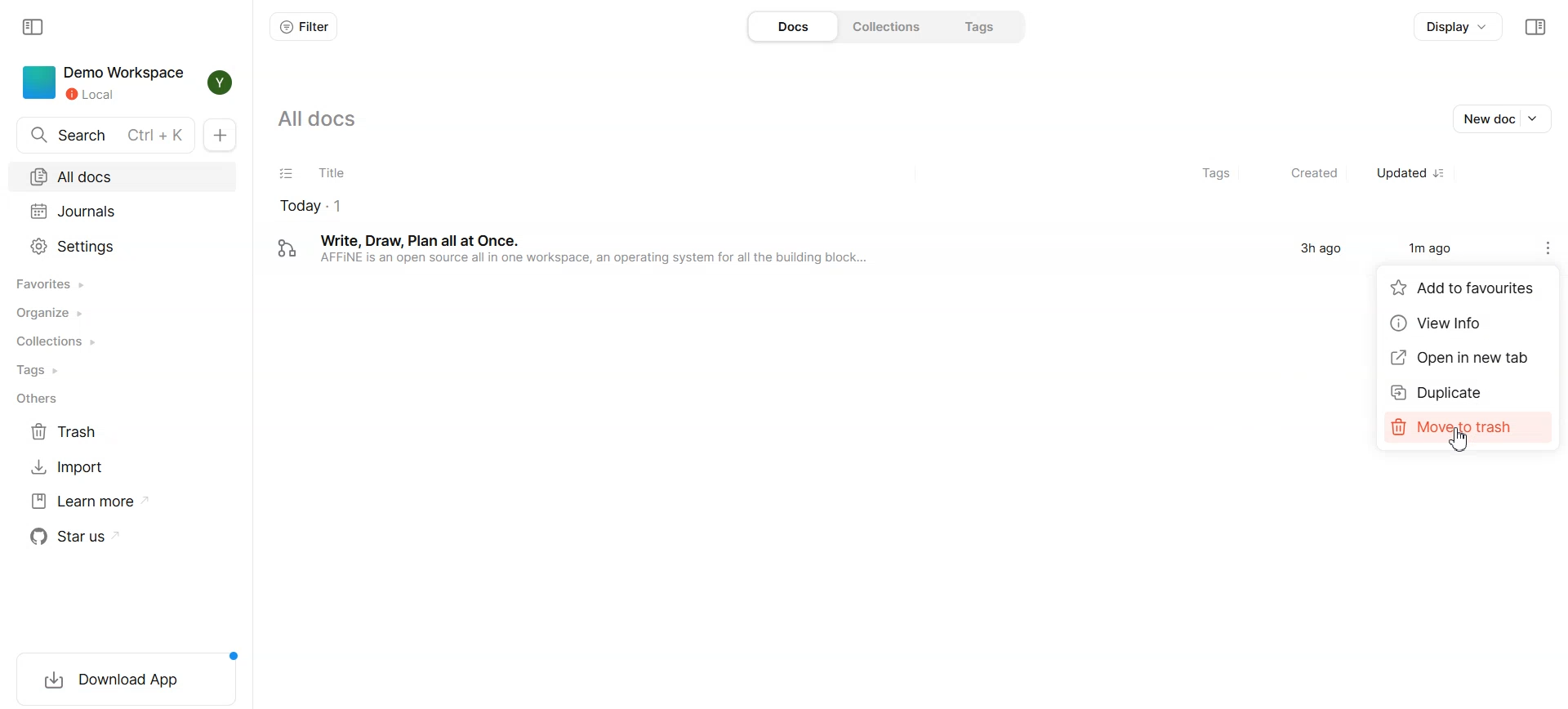  What do you see at coordinates (107, 433) in the screenshot?
I see `Trash` at bounding box center [107, 433].